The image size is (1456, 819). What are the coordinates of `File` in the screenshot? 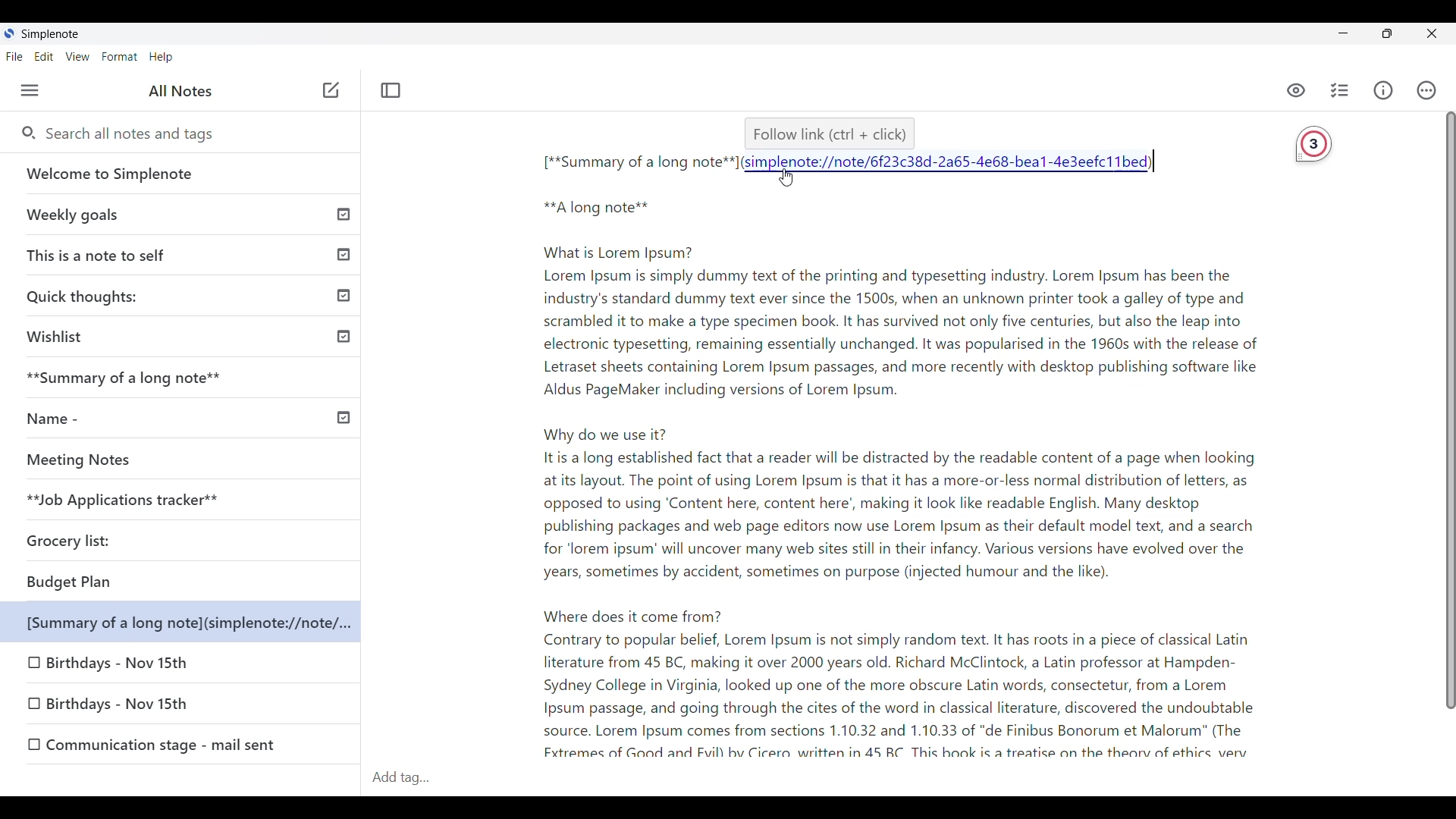 It's located at (14, 56).